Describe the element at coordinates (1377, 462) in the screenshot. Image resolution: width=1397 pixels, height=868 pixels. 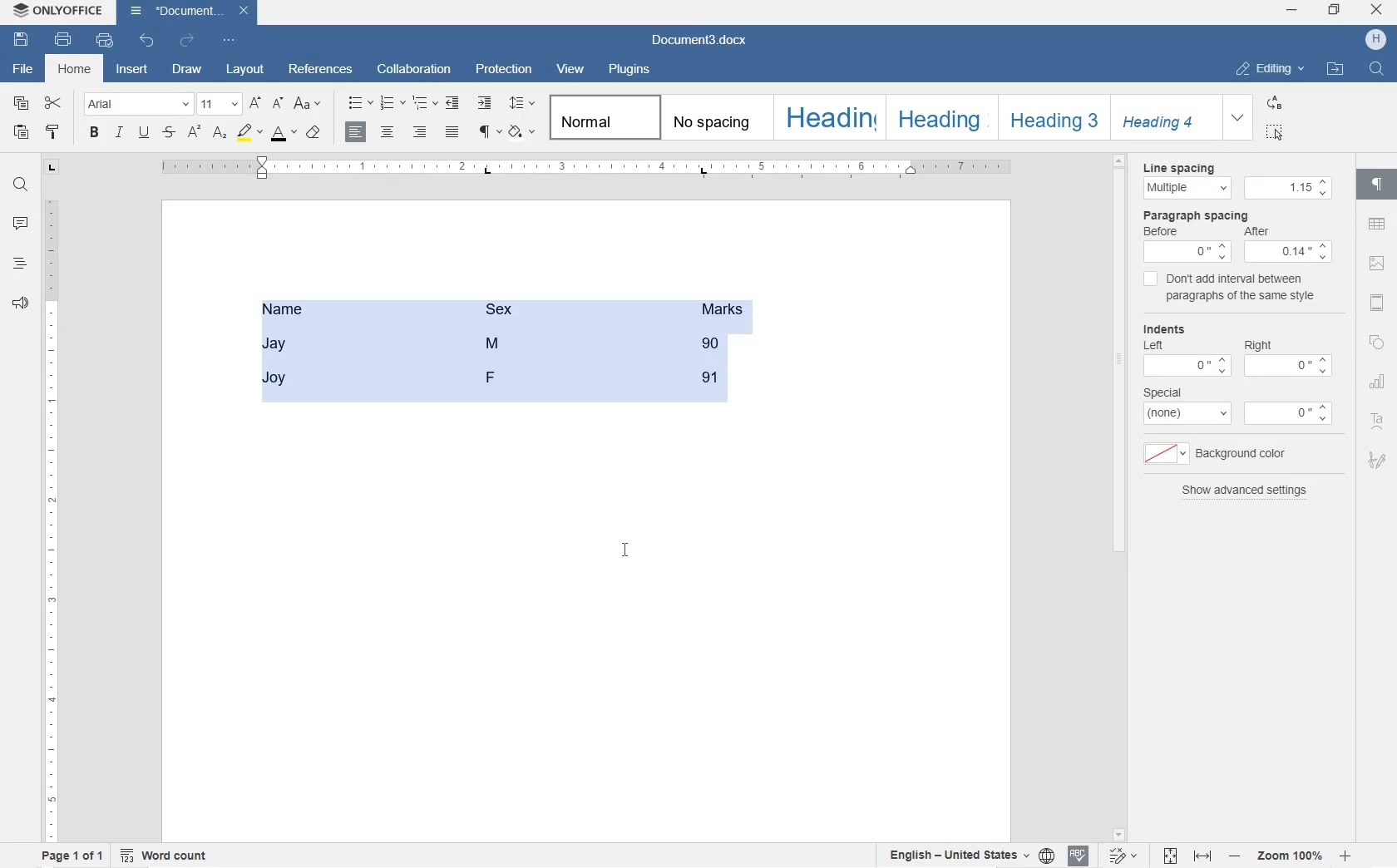
I see `SIGNATURE` at that location.